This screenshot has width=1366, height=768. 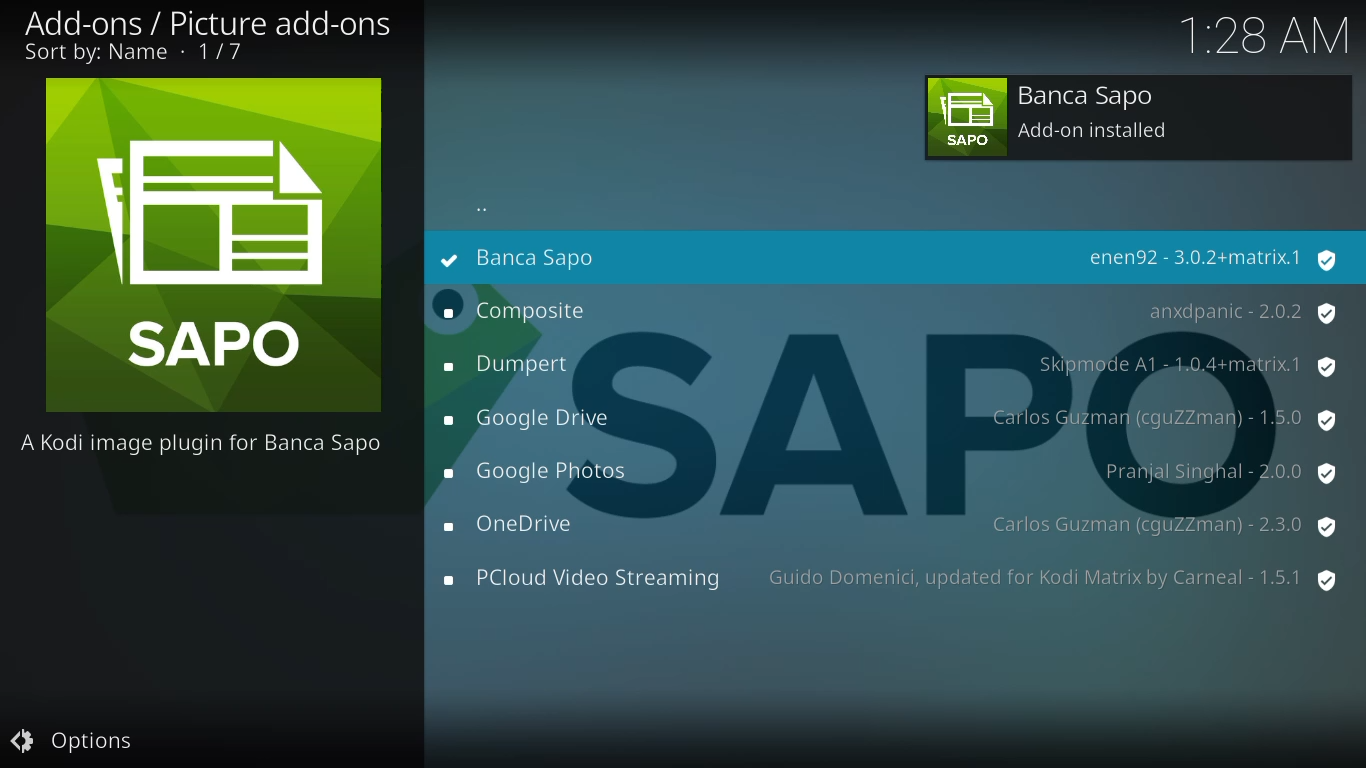 I want to click on version, so click(x=1186, y=365).